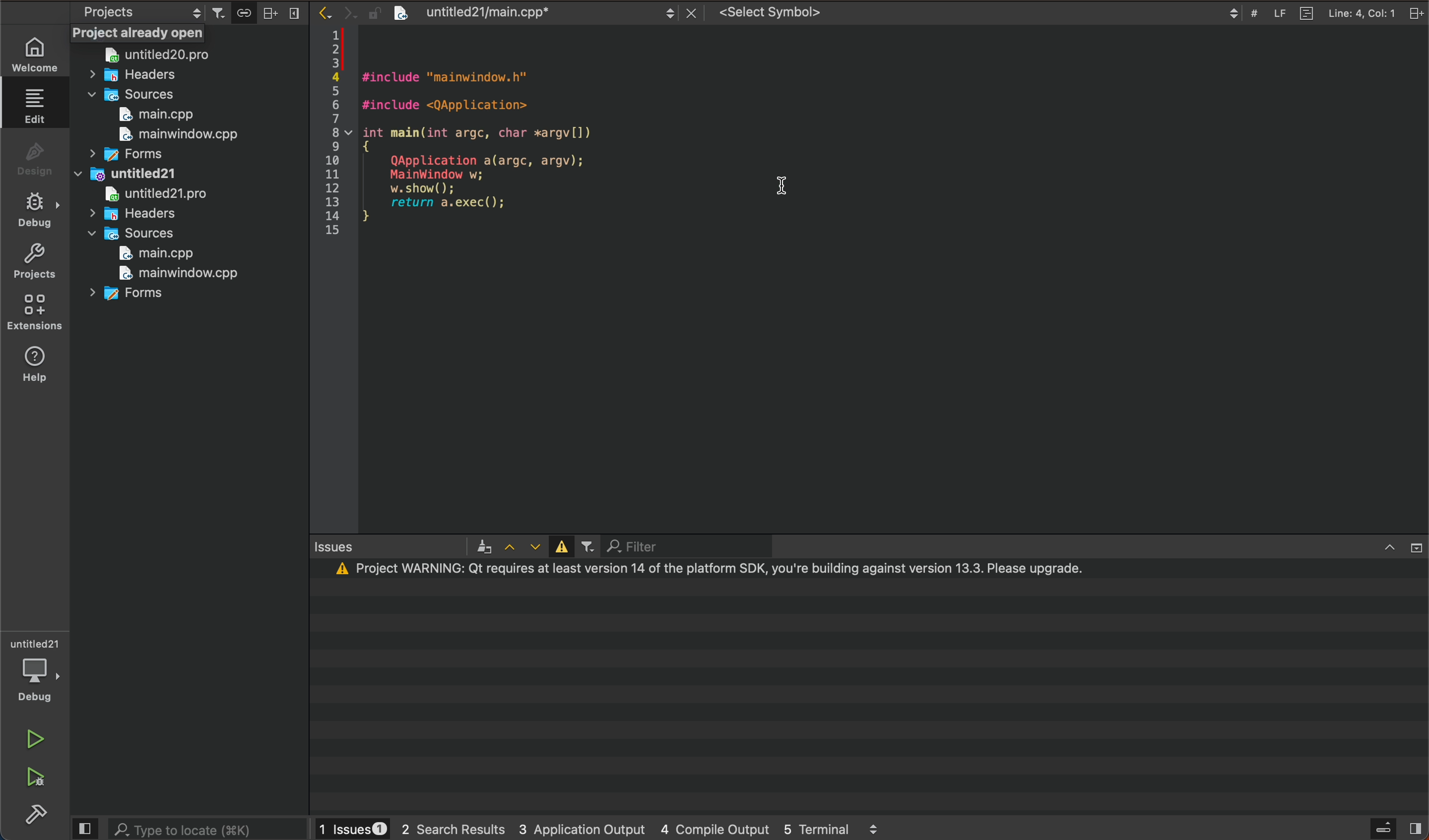 The width and height of the screenshot is (1429, 840). I want to click on broom icon, so click(486, 546).